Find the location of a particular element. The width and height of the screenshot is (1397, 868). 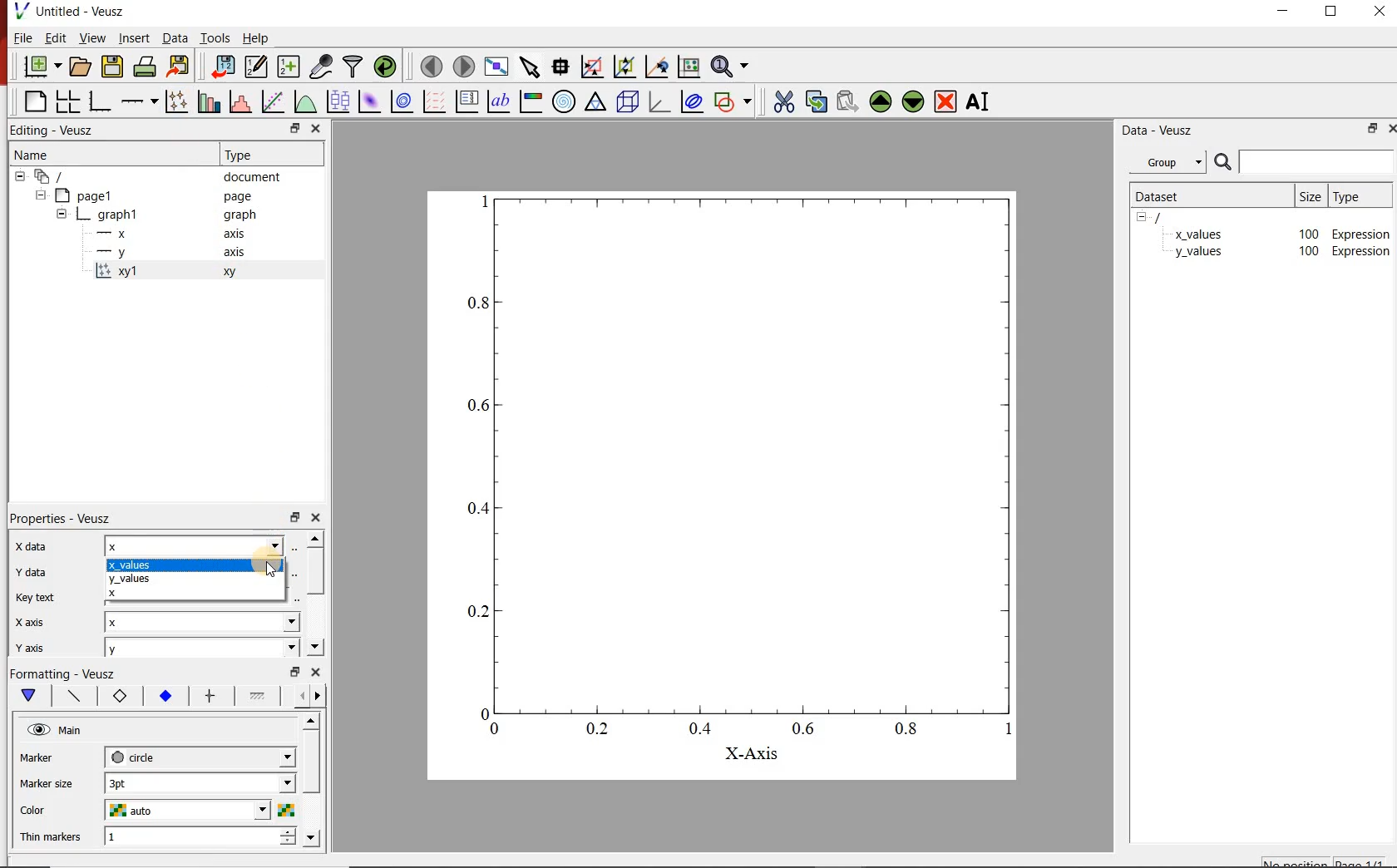

move up the the selected widget is located at coordinates (878, 103).